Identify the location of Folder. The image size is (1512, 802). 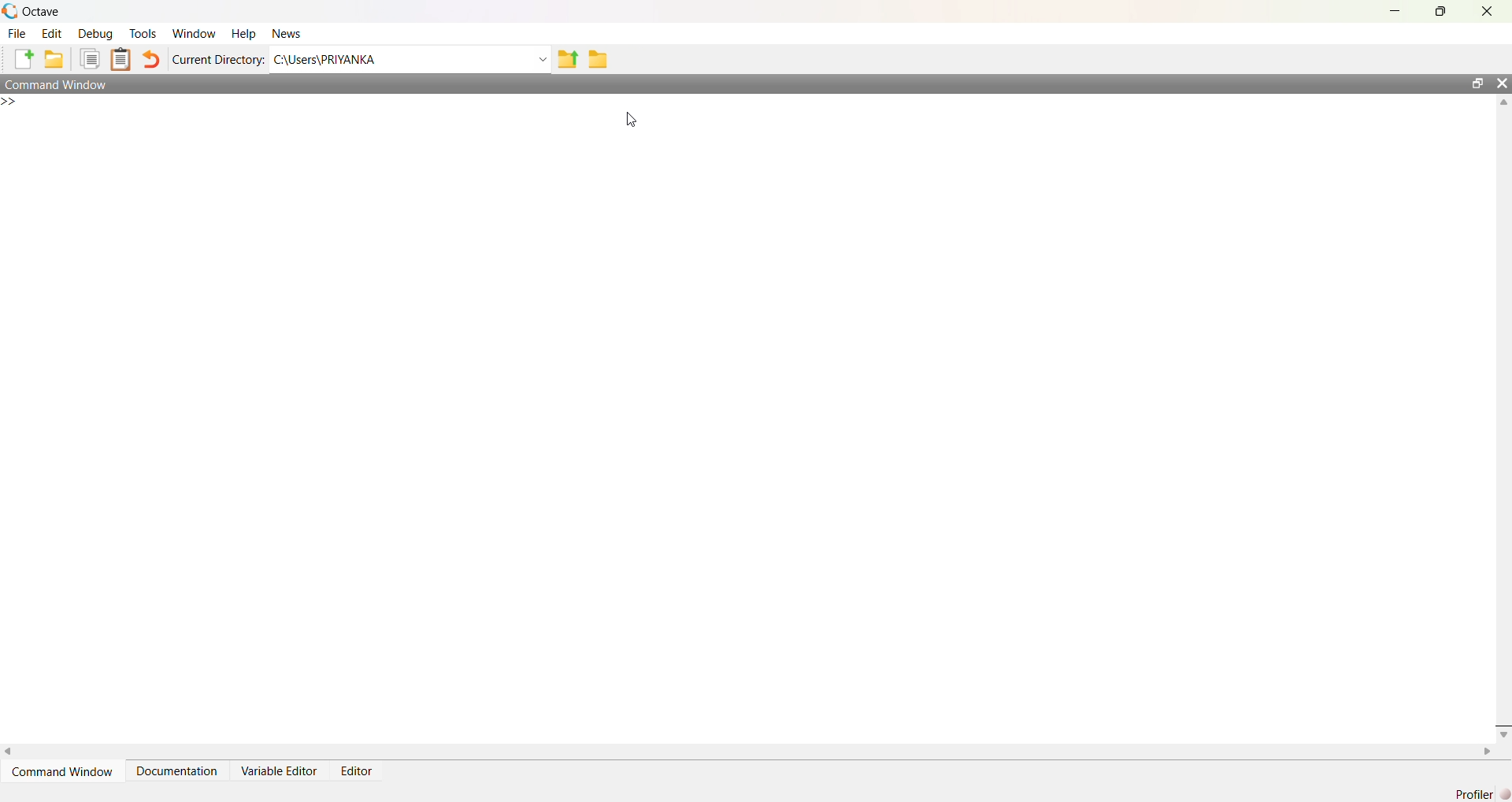
(597, 60).